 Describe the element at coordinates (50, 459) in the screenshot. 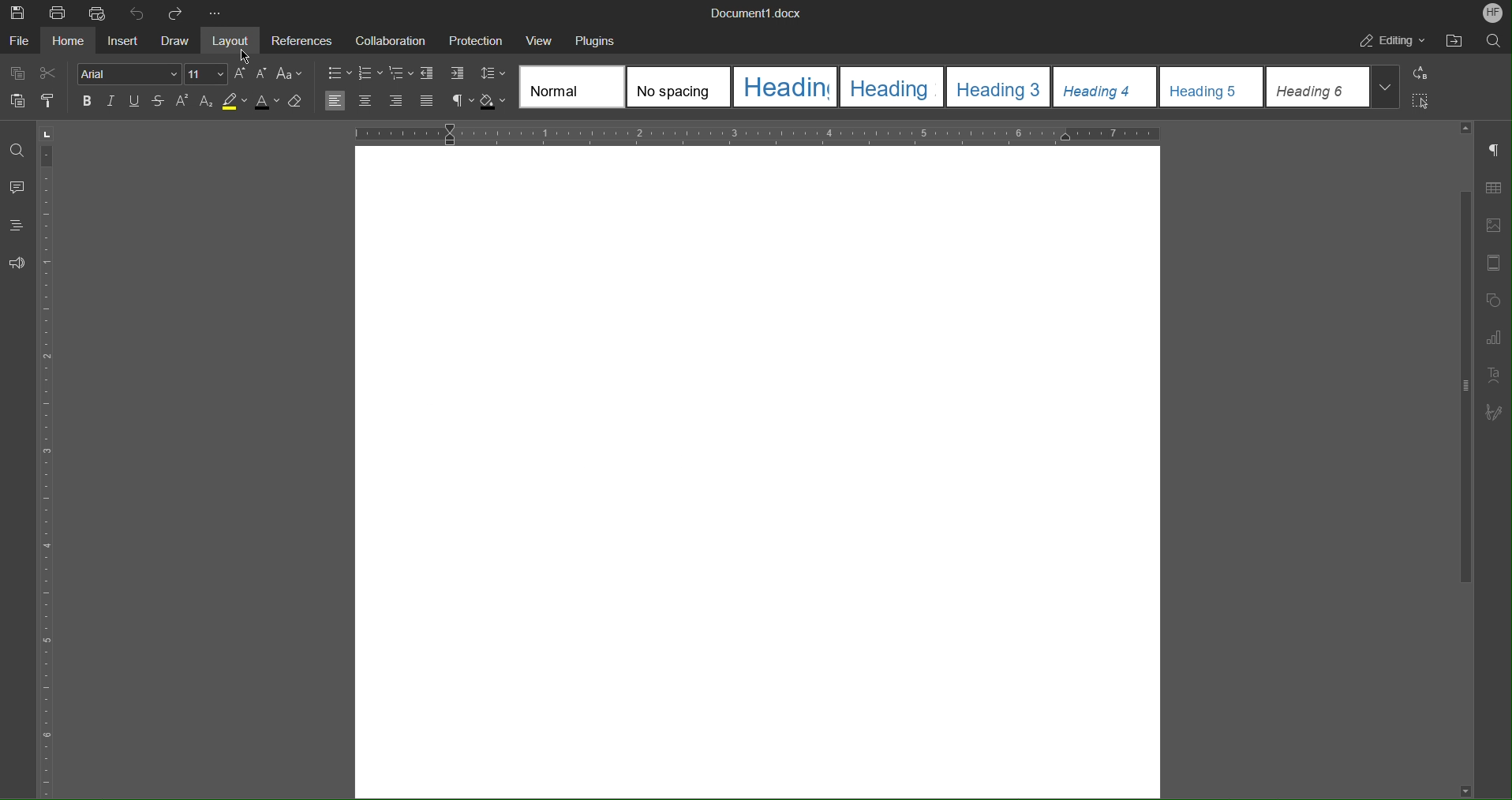

I see `Vertical Ruler` at that location.